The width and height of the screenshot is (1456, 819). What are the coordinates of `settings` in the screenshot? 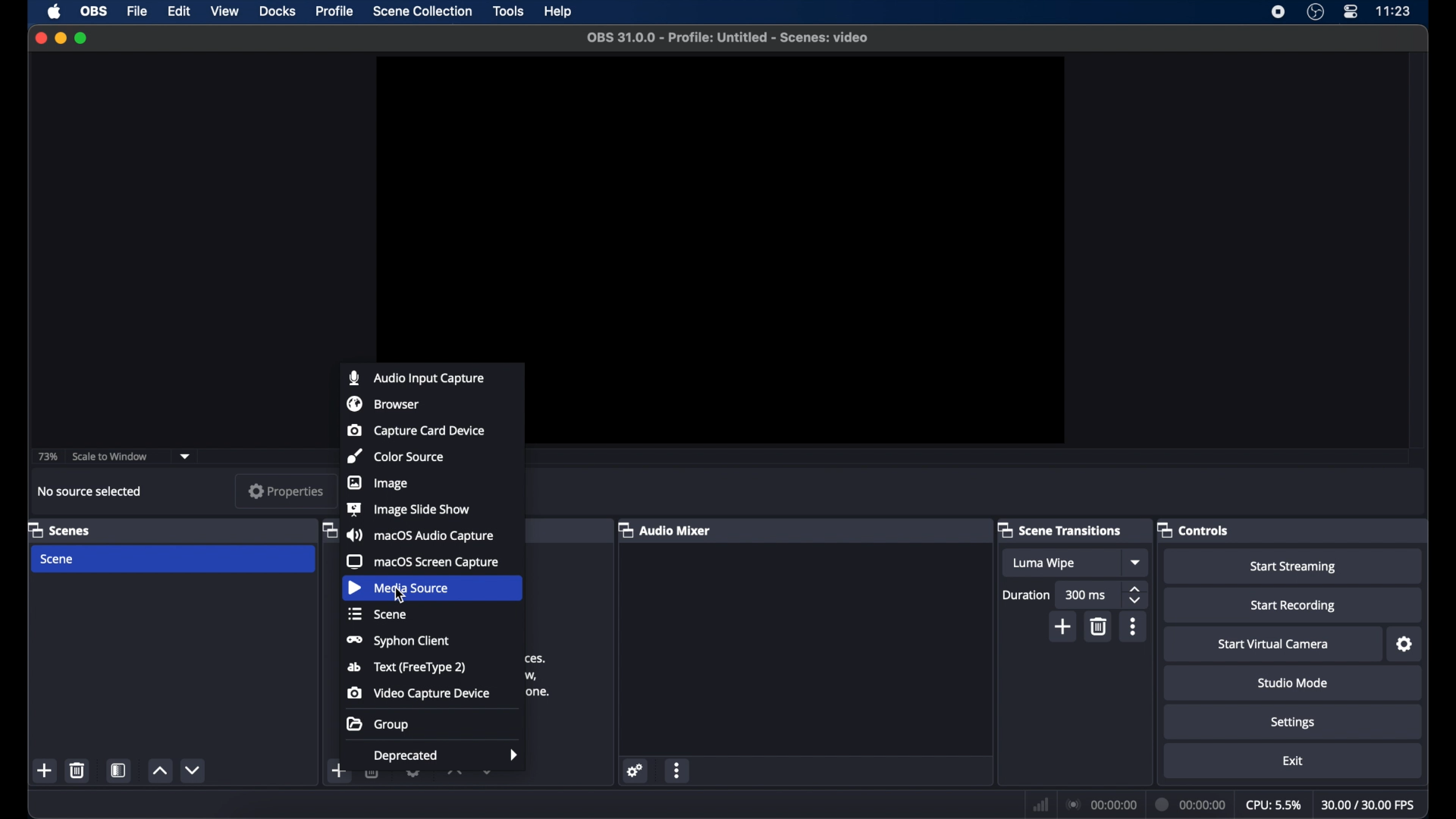 It's located at (635, 771).